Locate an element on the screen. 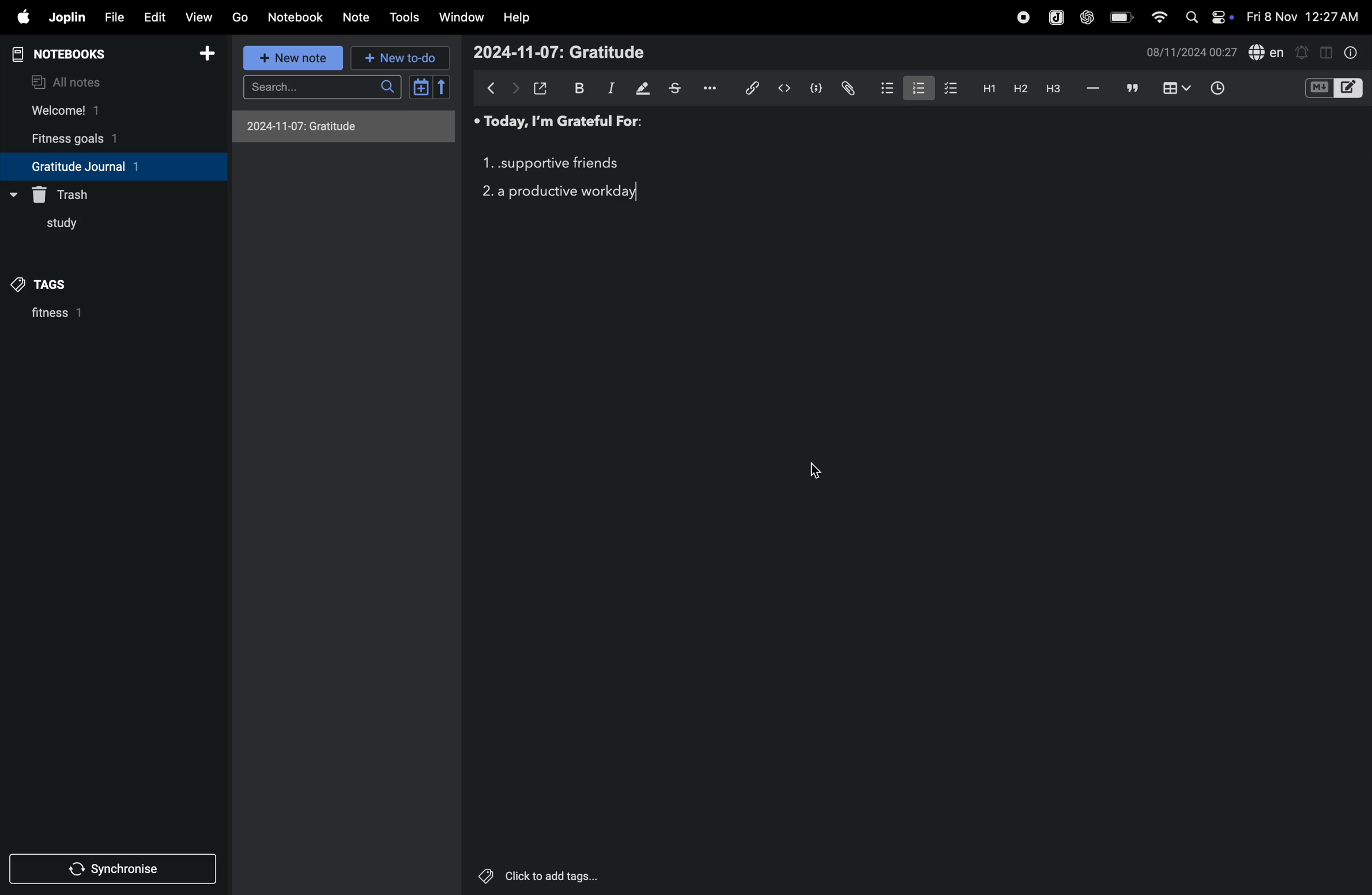 Image resolution: width=1372 pixels, height=895 pixels. tools is located at coordinates (404, 18).